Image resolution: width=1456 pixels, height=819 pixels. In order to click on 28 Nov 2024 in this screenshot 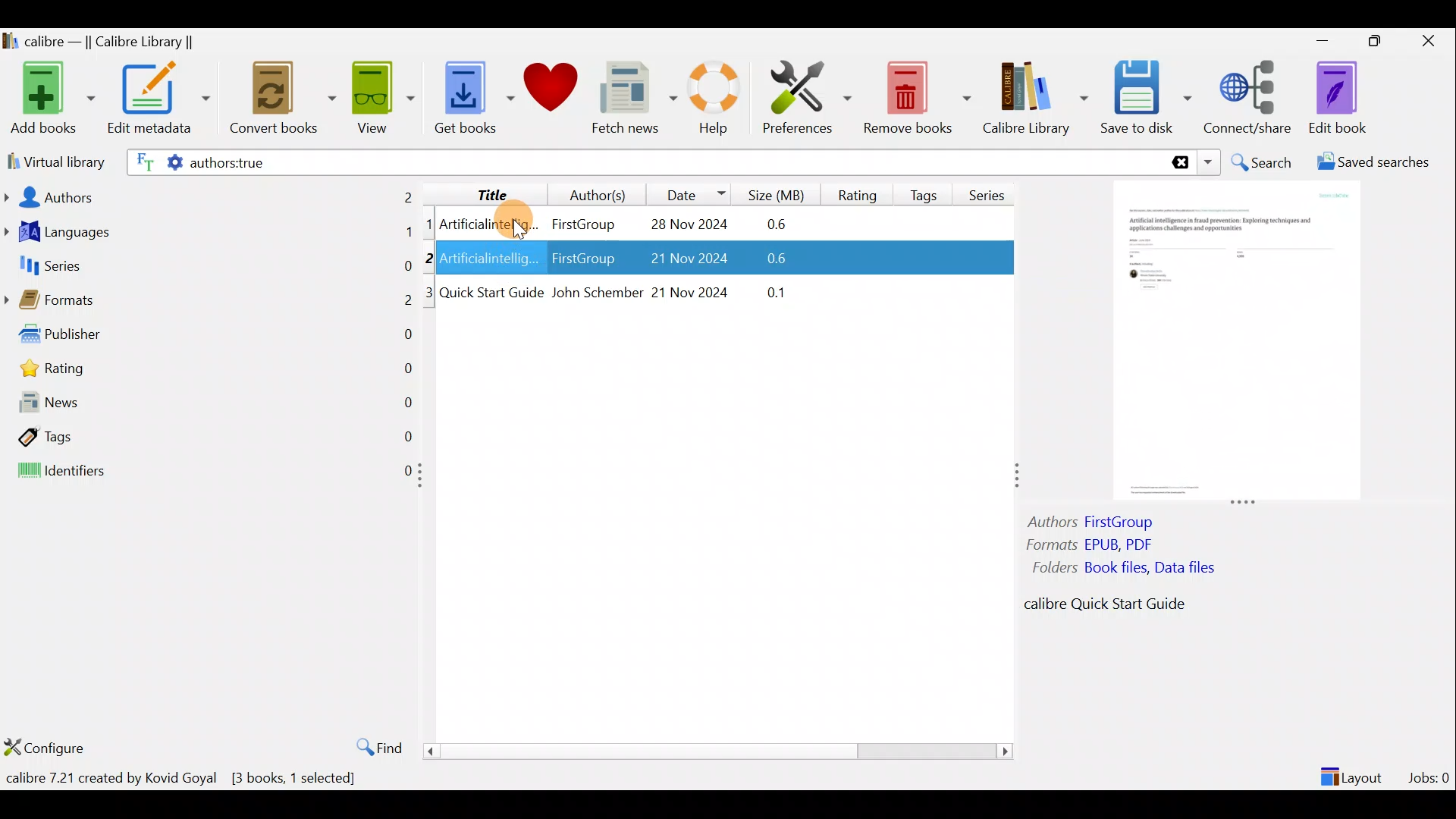, I will do `click(681, 226)`.